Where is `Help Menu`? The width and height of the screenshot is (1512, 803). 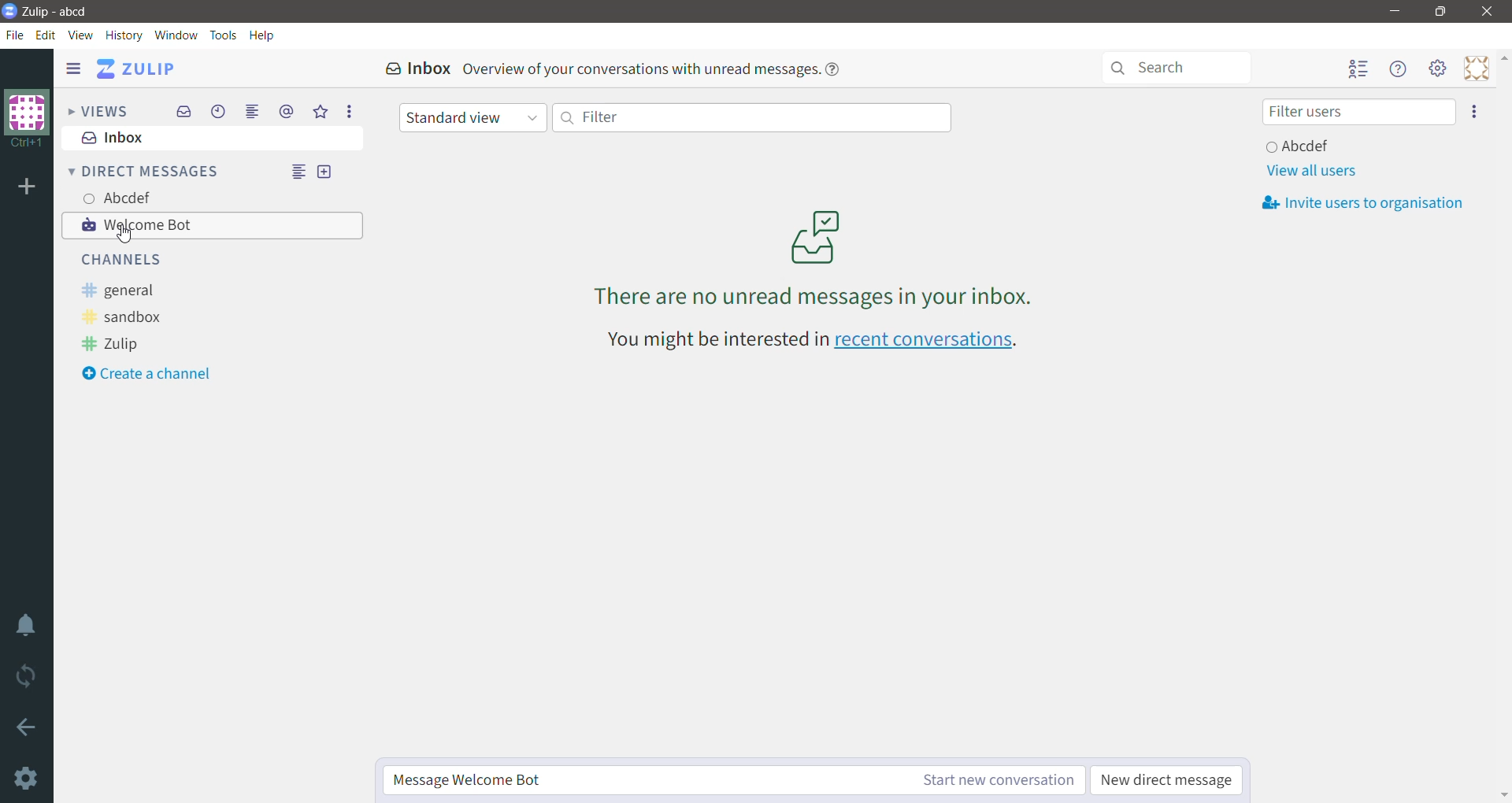 Help Menu is located at coordinates (1397, 71).